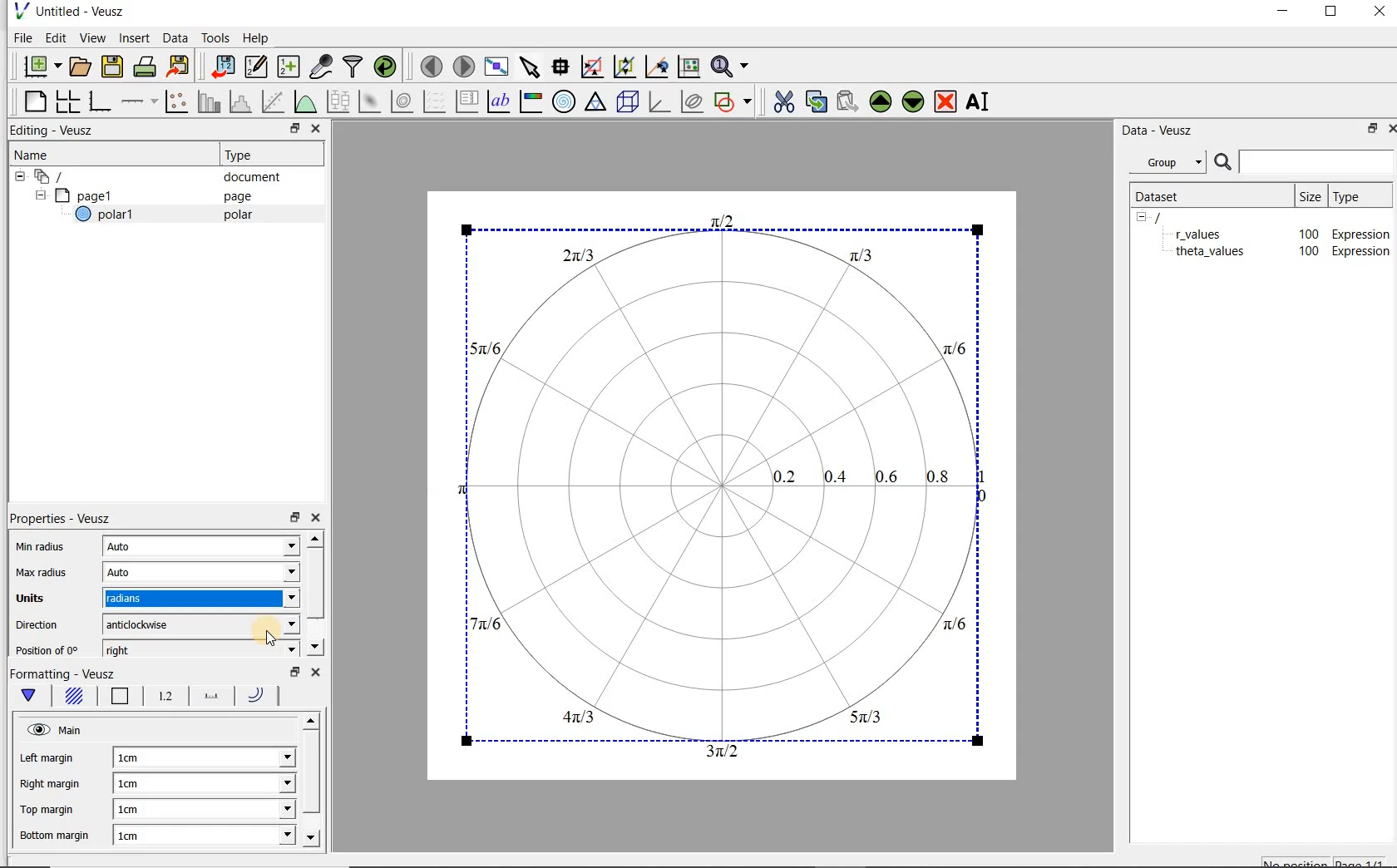 This screenshot has width=1397, height=868. Describe the element at coordinates (141, 101) in the screenshot. I see `add an axis to a plot` at that location.